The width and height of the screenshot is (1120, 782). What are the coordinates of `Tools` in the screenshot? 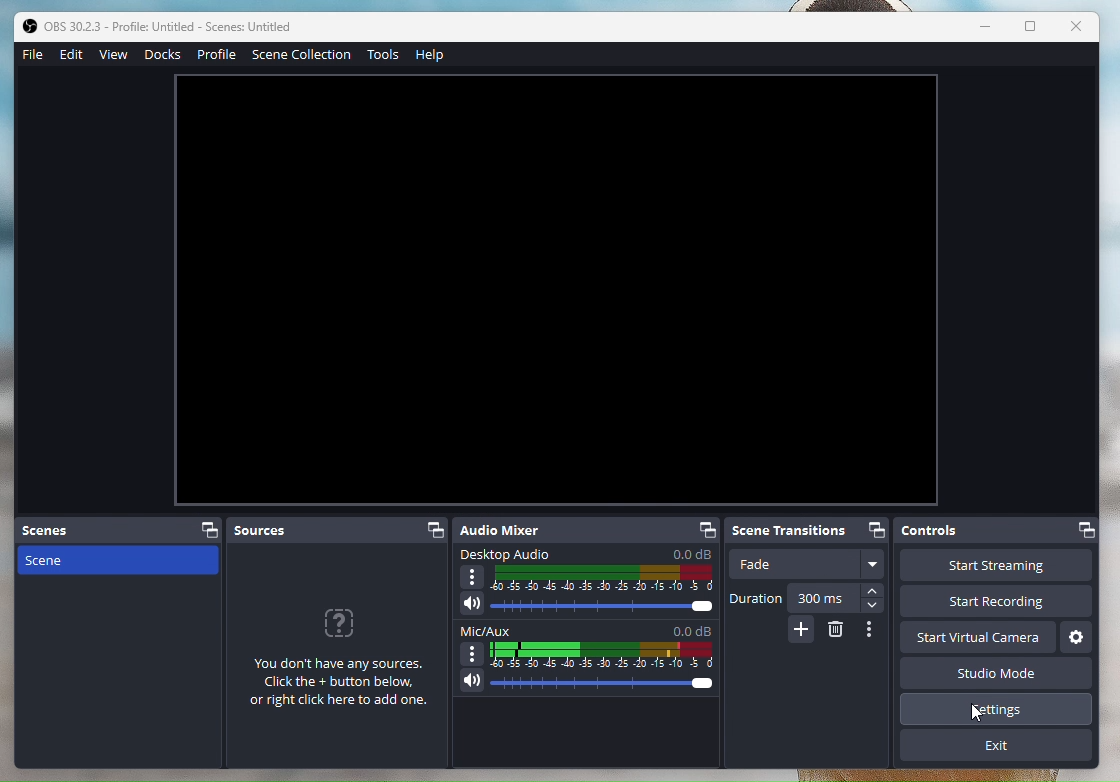 It's located at (386, 56).